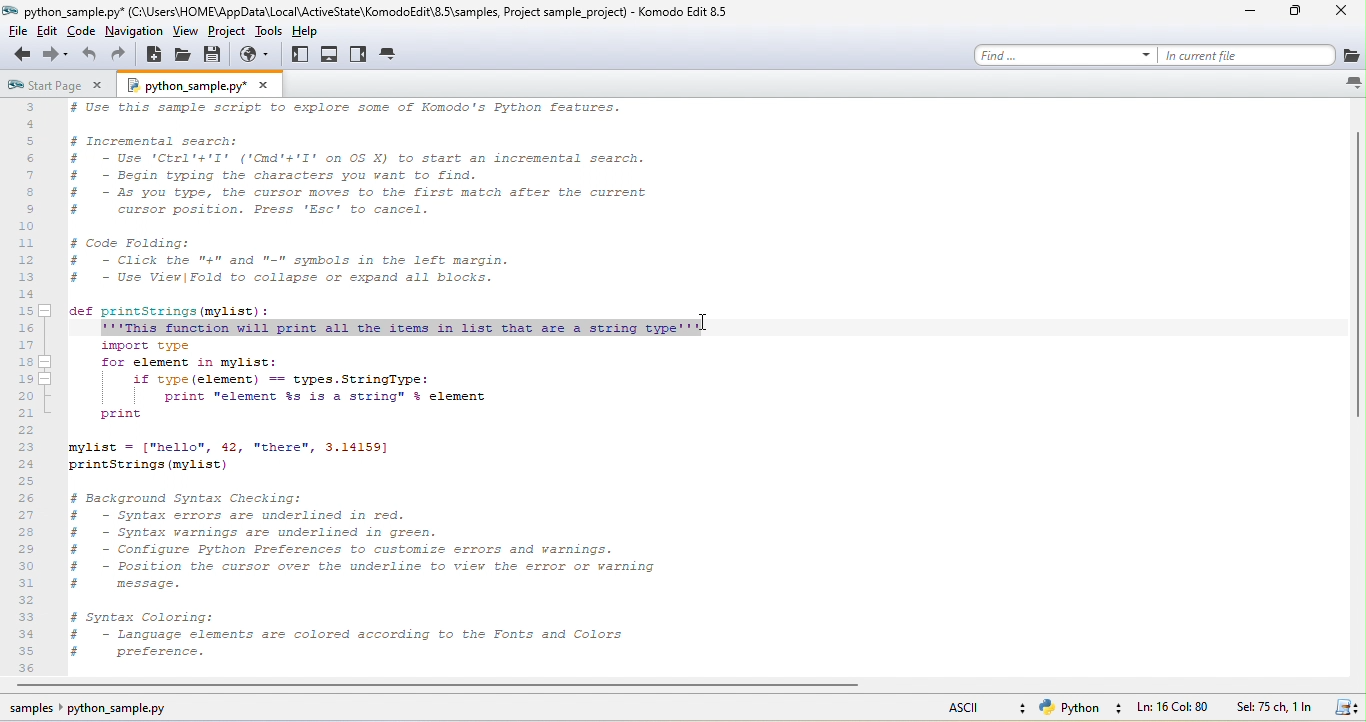  Describe the element at coordinates (19, 57) in the screenshot. I see `back` at that location.